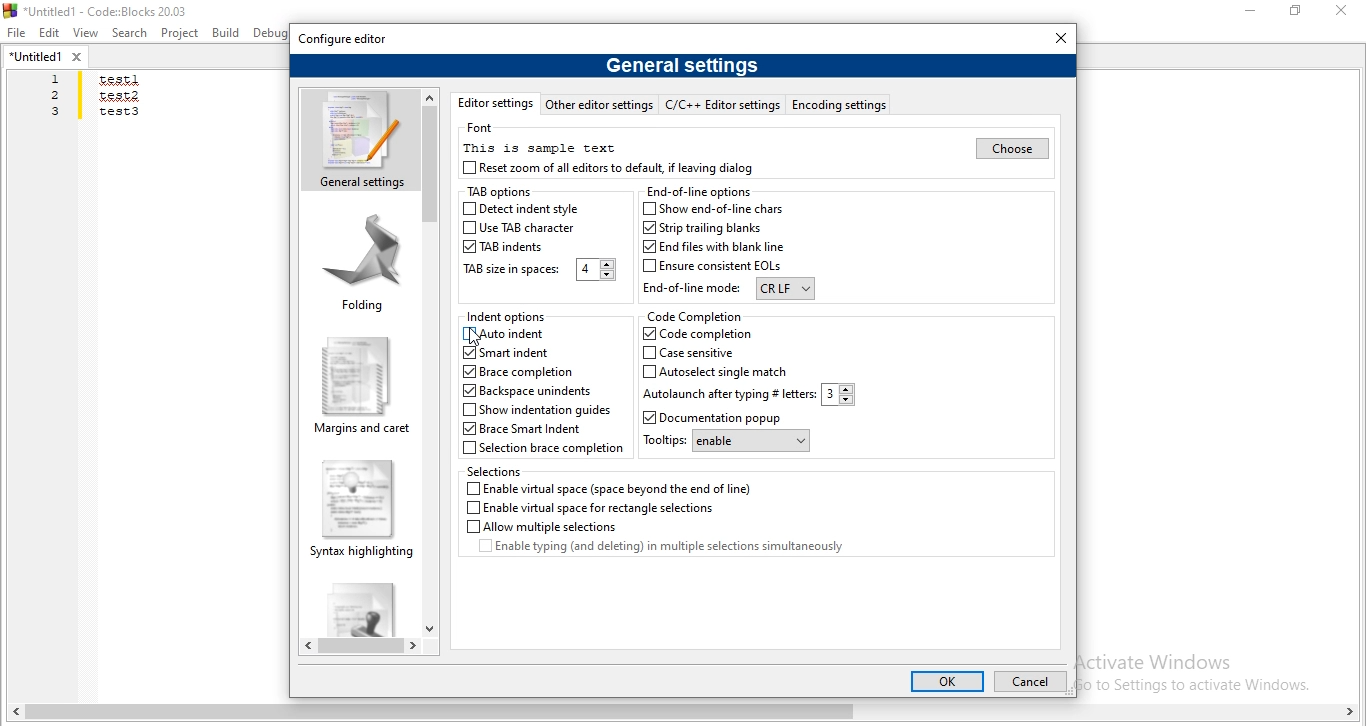 Image resolution: width=1366 pixels, height=726 pixels. What do you see at coordinates (1339, 11) in the screenshot?
I see `Close` at bounding box center [1339, 11].